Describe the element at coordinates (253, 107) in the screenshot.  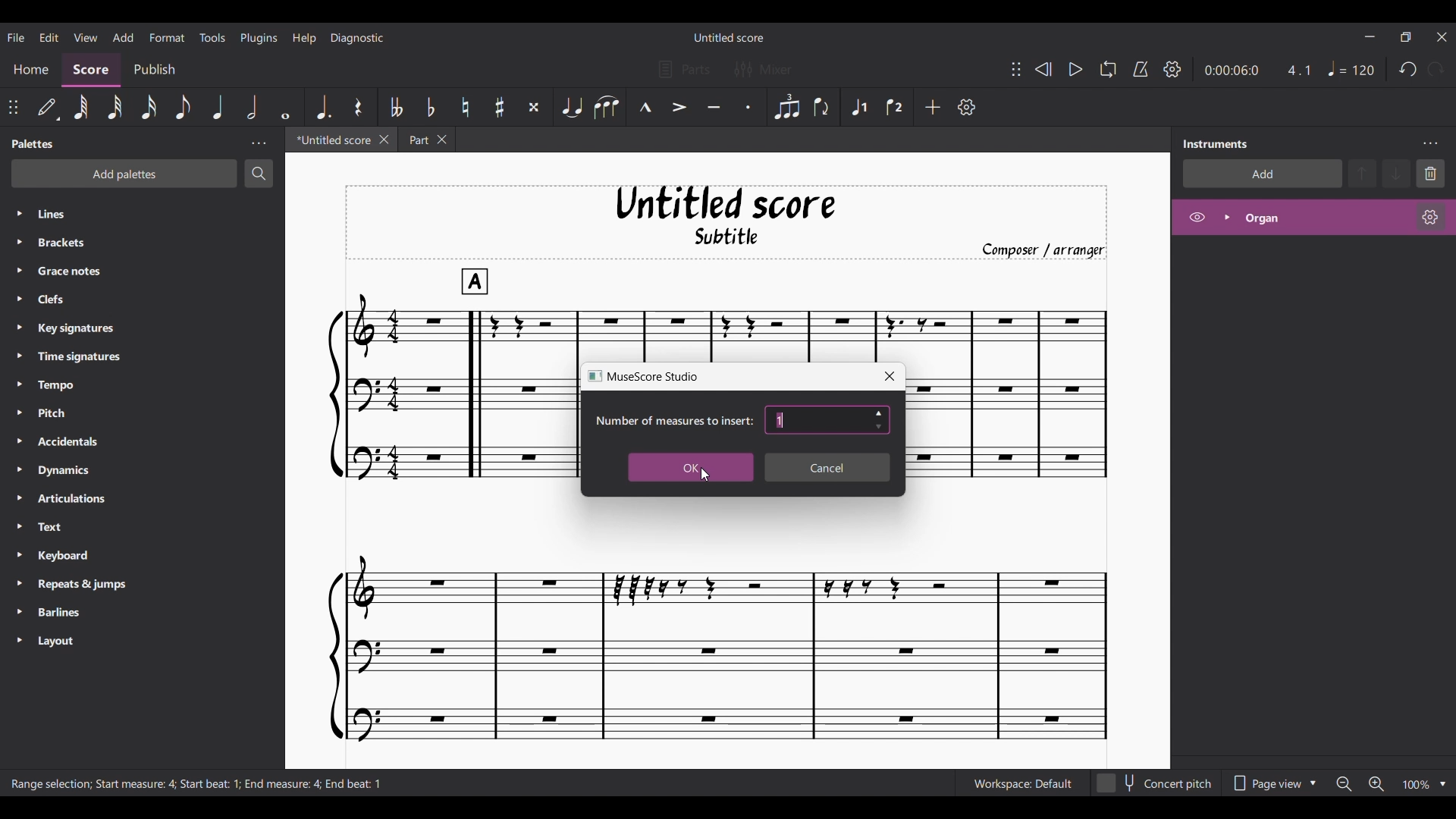
I see `Half note` at that location.